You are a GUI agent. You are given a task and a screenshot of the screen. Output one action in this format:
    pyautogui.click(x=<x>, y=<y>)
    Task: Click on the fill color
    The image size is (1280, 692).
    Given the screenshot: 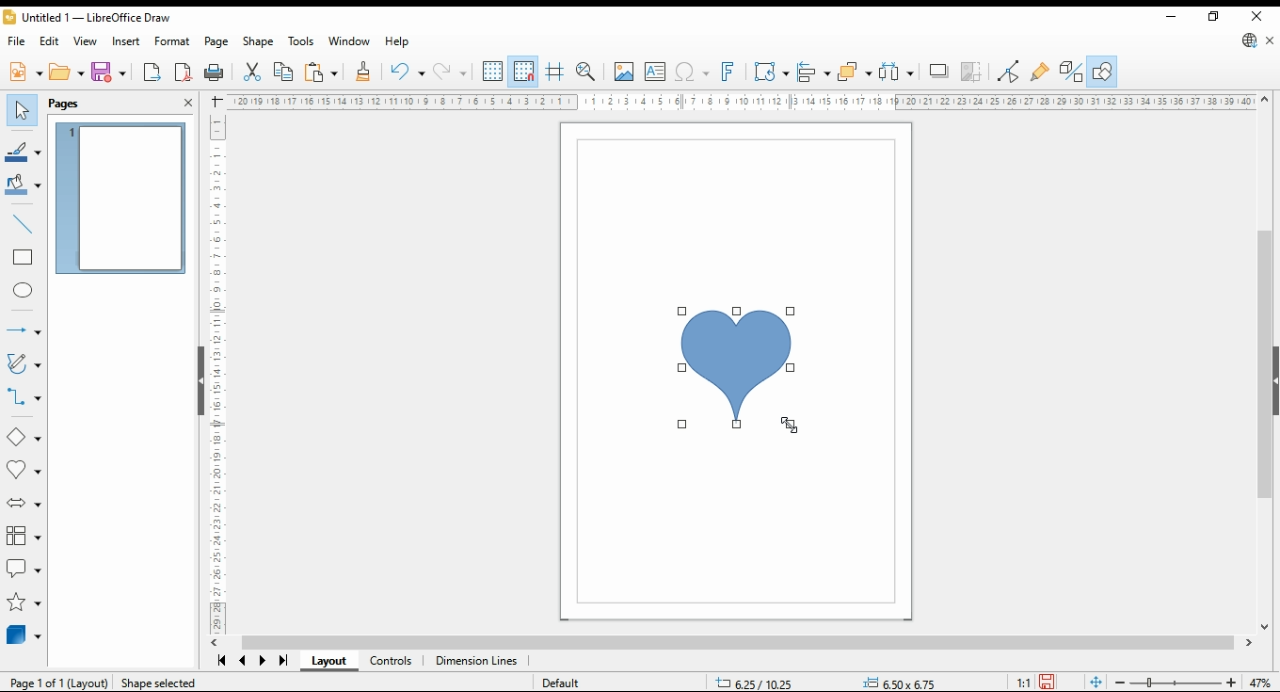 What is the action you would take?
    pyautogui.click(x=24, y=186)
    